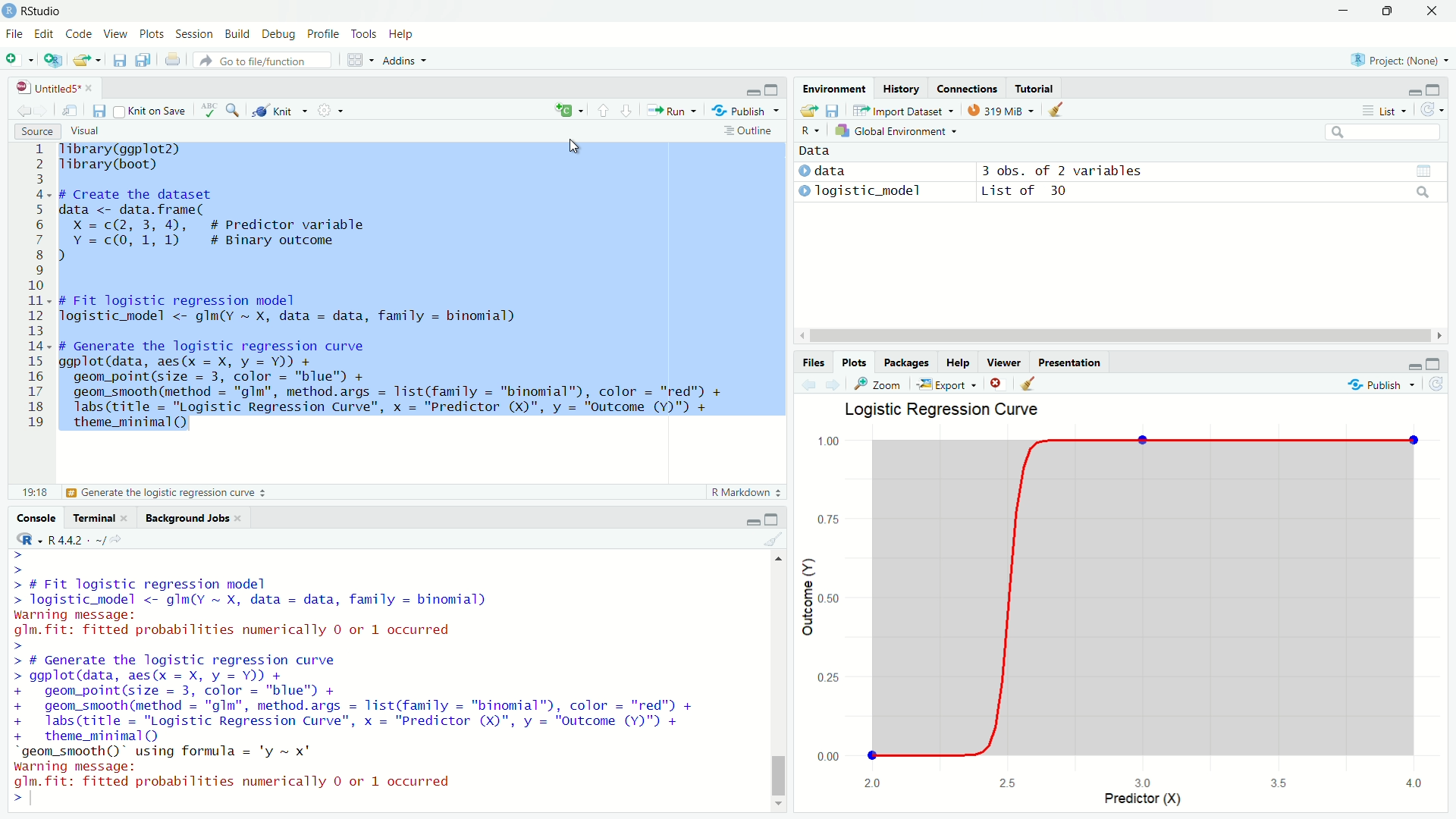  What do you see at coordinates (753, 92) in the screenshot?
I see `minimize` at bounding box center [753, 92].